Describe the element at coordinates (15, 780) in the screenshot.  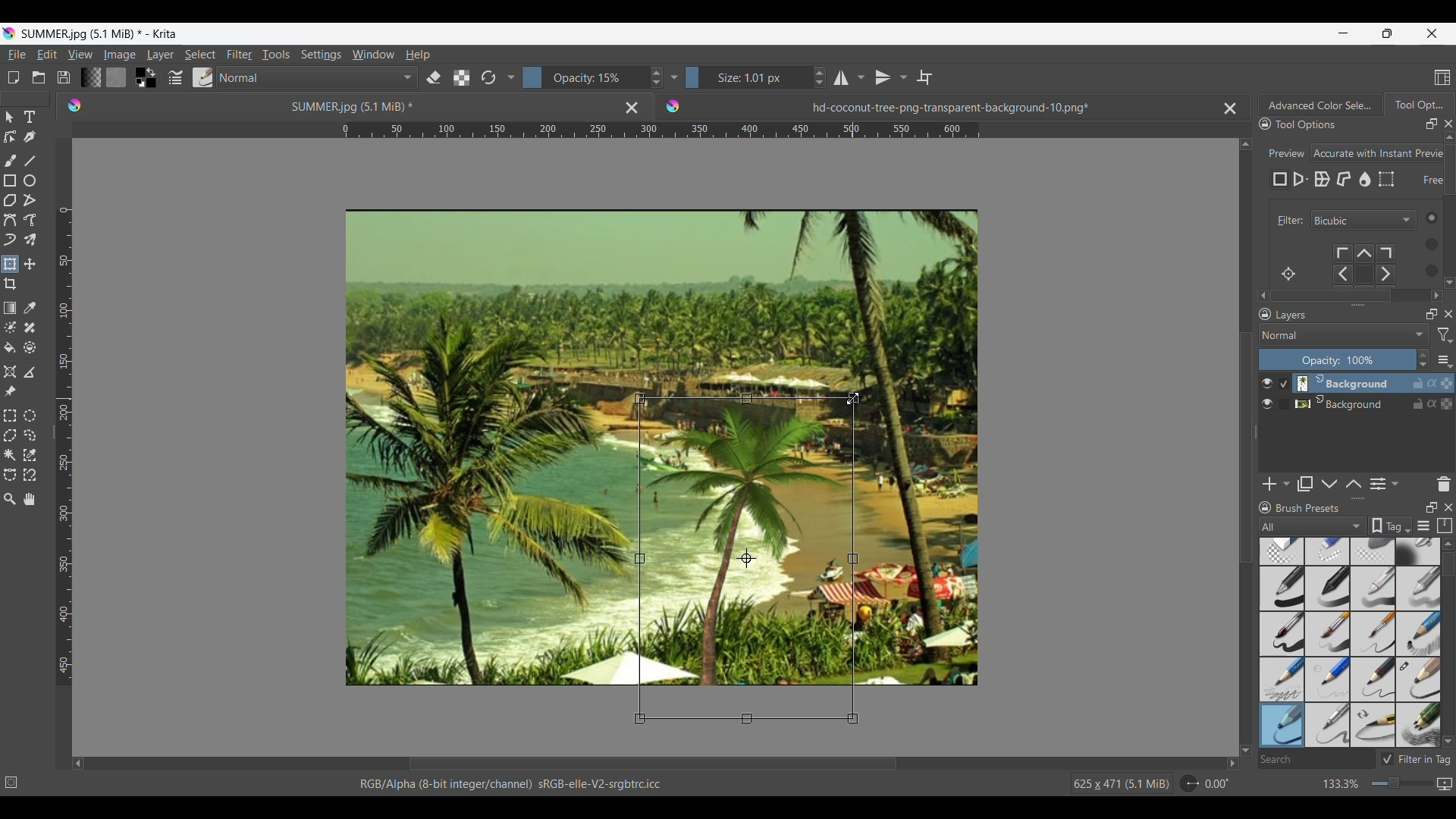
I see `No current selection` at that location.